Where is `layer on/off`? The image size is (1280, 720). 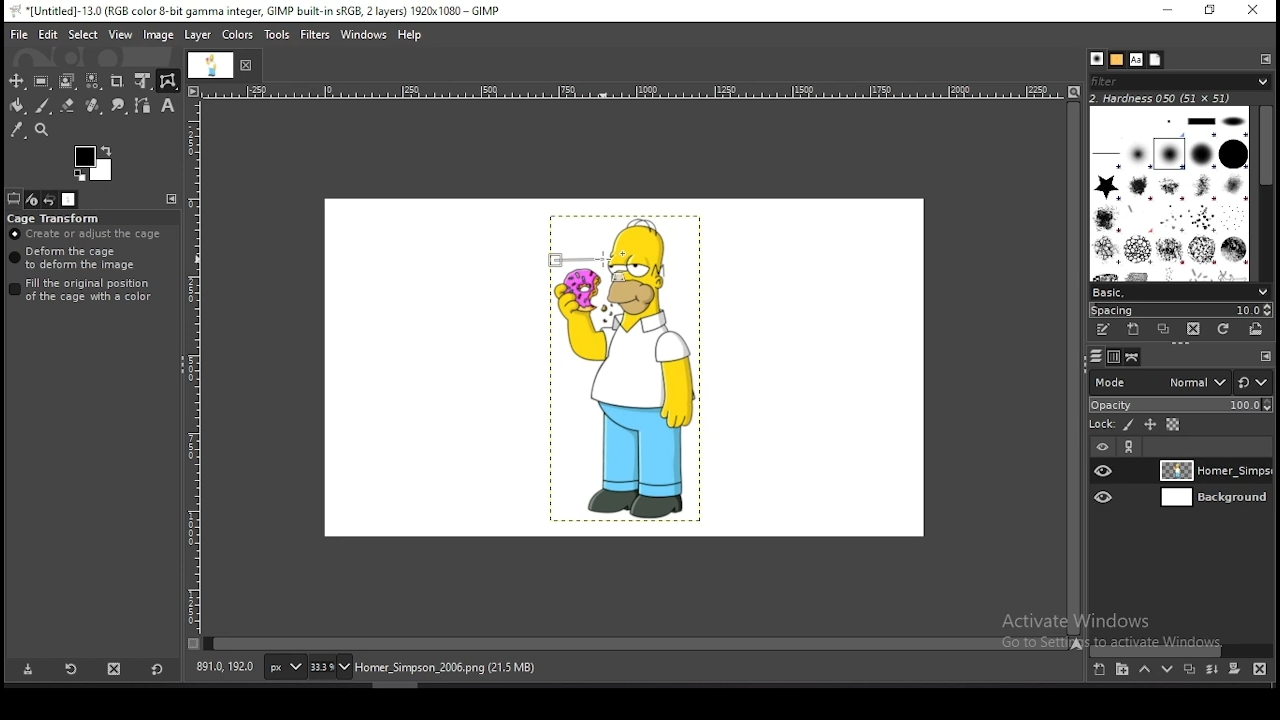 layer on/off is located at coordinates (1102, 446).